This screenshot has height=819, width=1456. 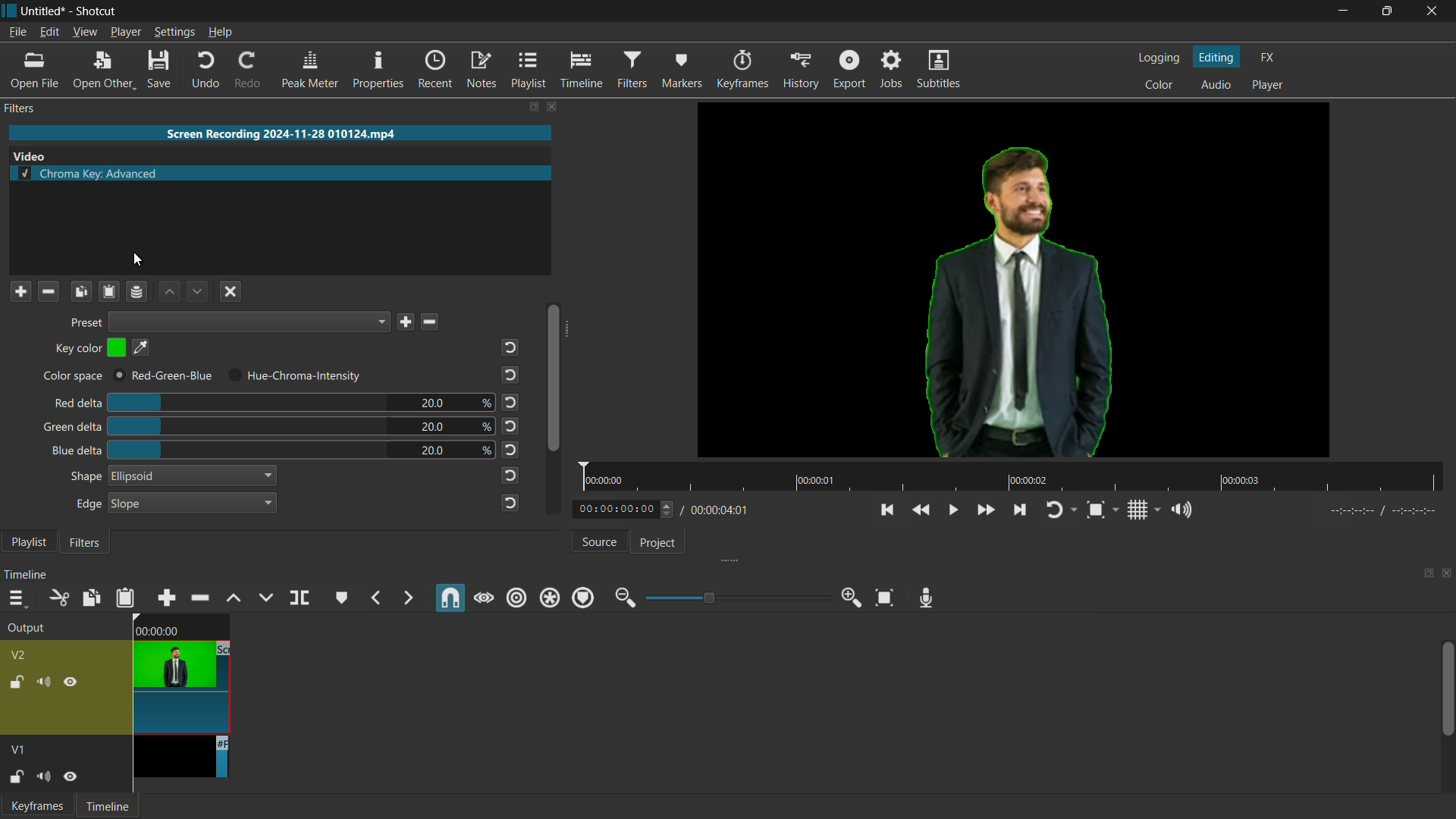 I want to click on toggle zoom, so click(x=1095, y=510).